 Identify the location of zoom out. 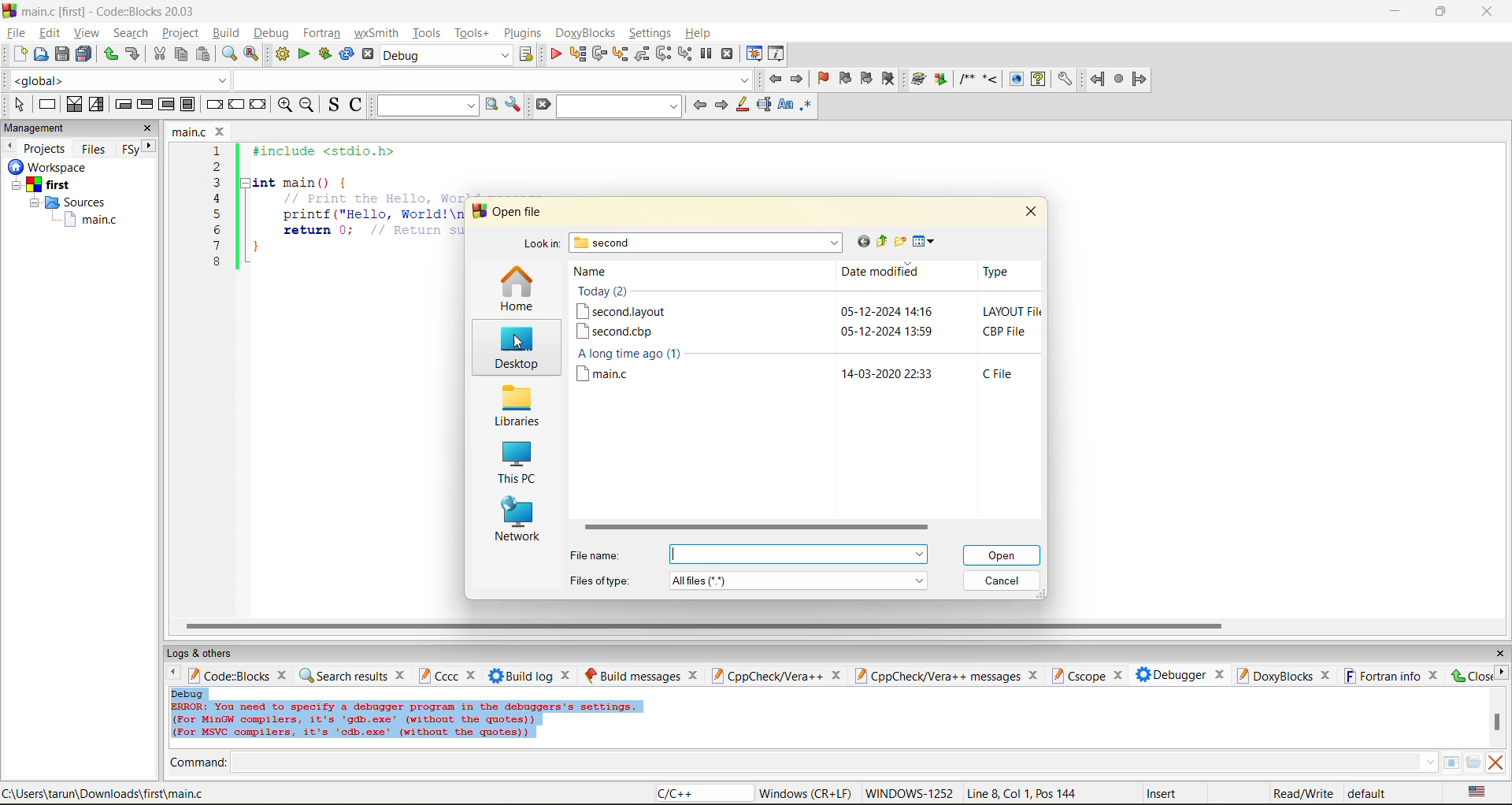
(306, 106).